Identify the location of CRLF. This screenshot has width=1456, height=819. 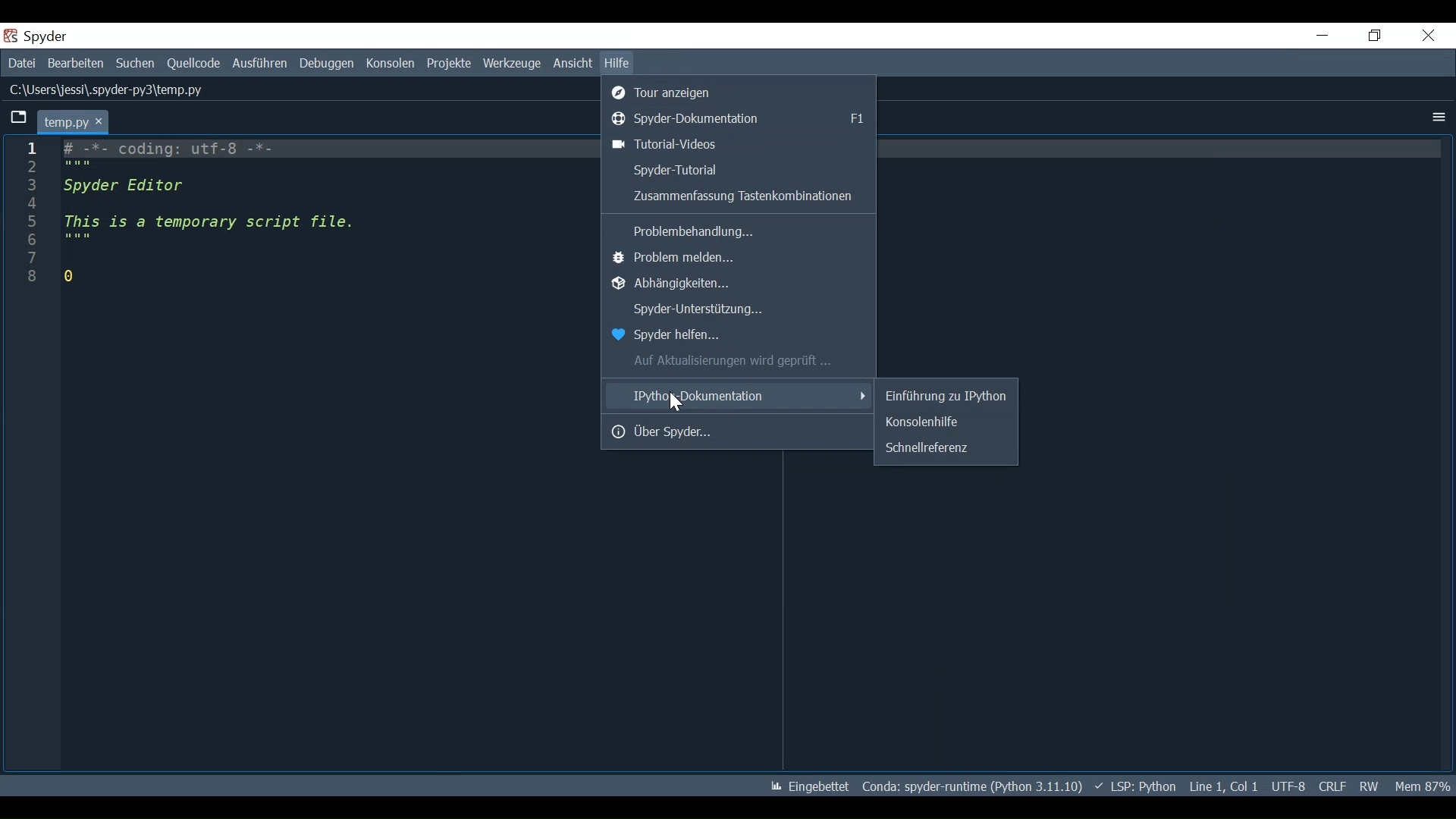
(1332, 786).